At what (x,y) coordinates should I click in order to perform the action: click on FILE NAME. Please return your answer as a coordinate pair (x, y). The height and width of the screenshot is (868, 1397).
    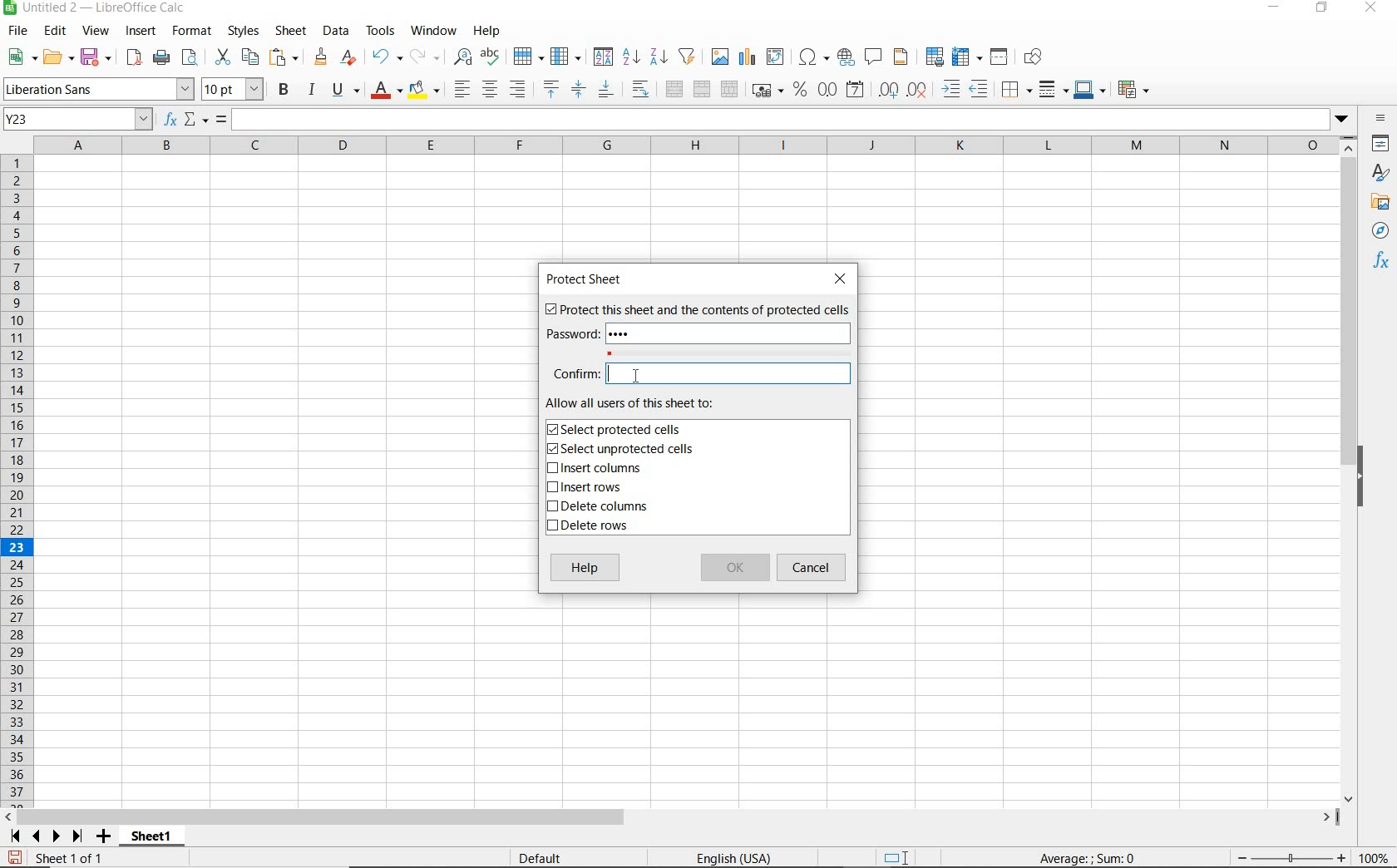
    Looking at the image, I should click on (97, 9).